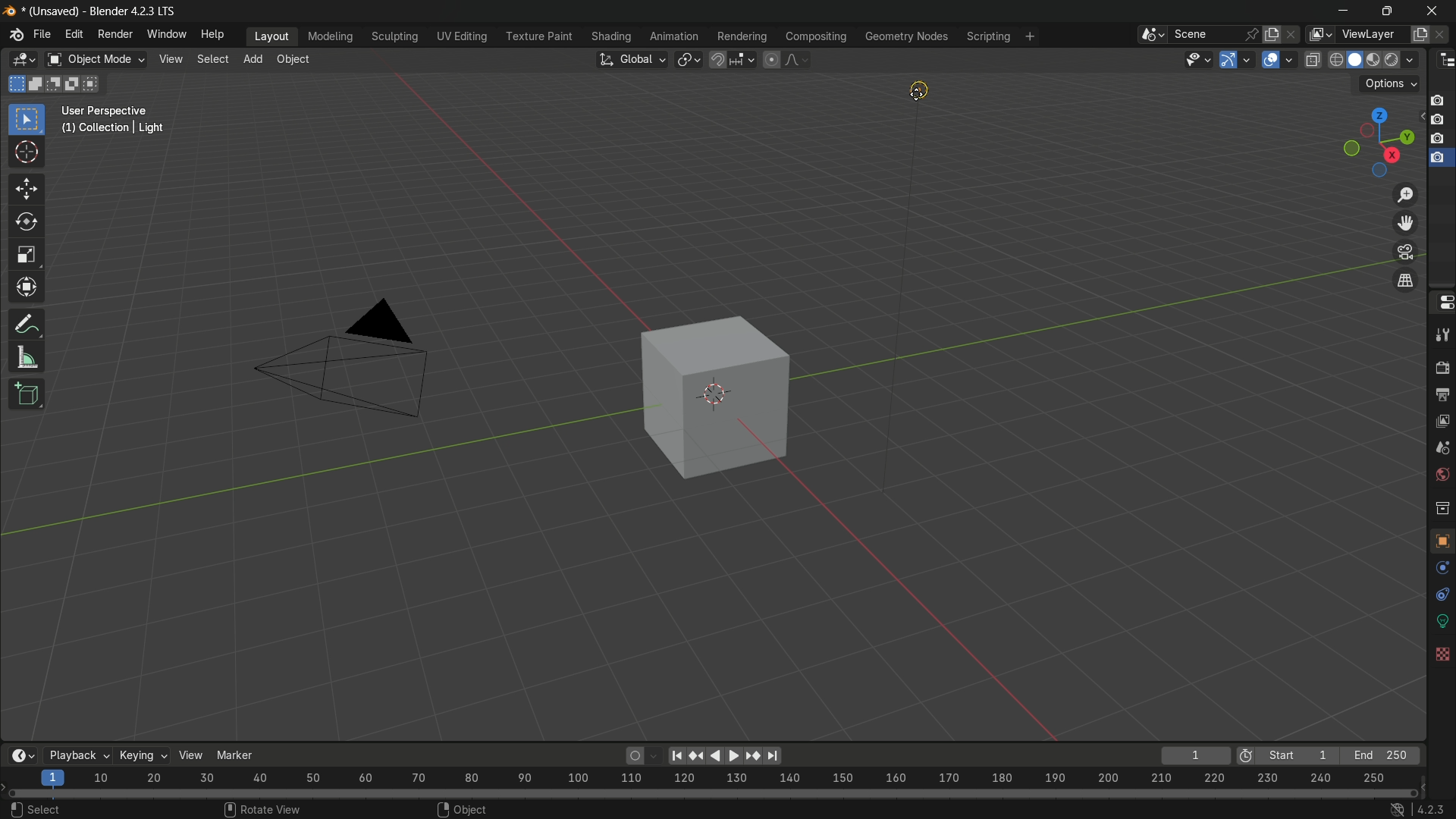 The image size is (1456, 819). What do you see at coordinates (142, 757) in the screenshot?
I see `keying` at bounding box center [142, 757].